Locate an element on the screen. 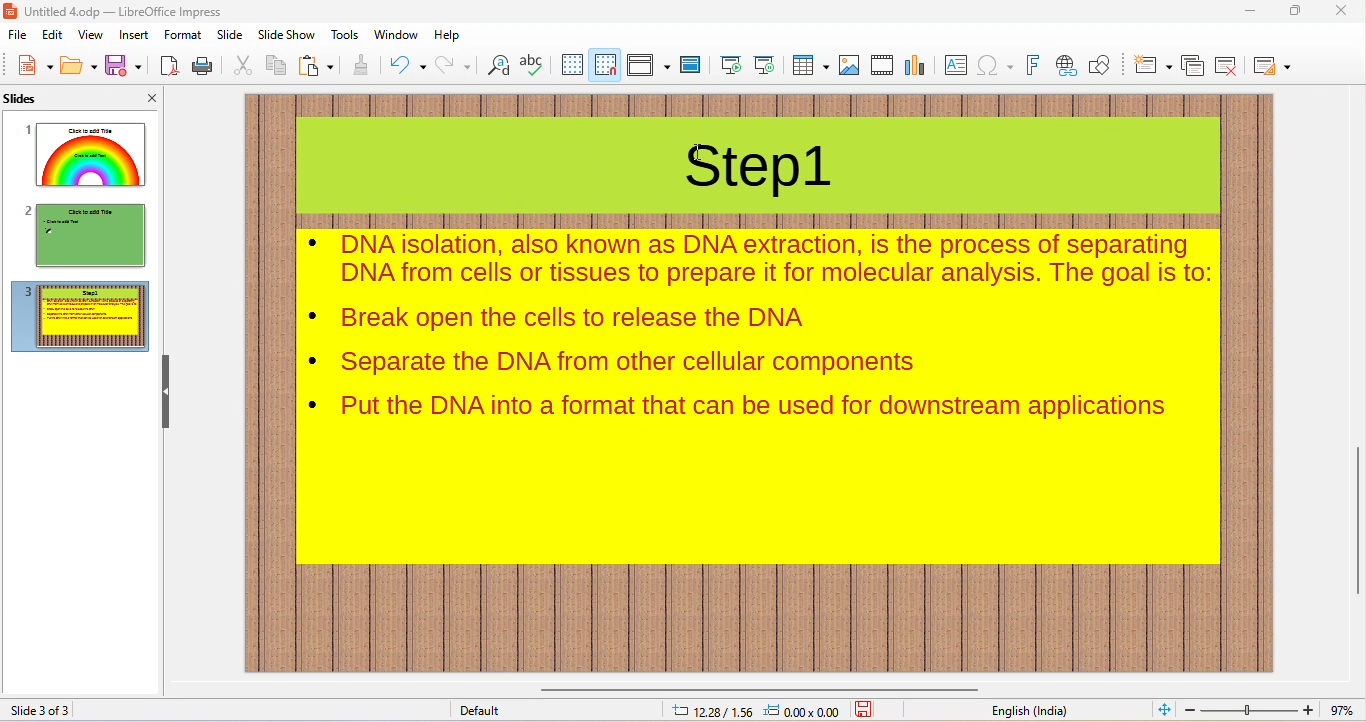  slides is located at coordinates (27, 98).